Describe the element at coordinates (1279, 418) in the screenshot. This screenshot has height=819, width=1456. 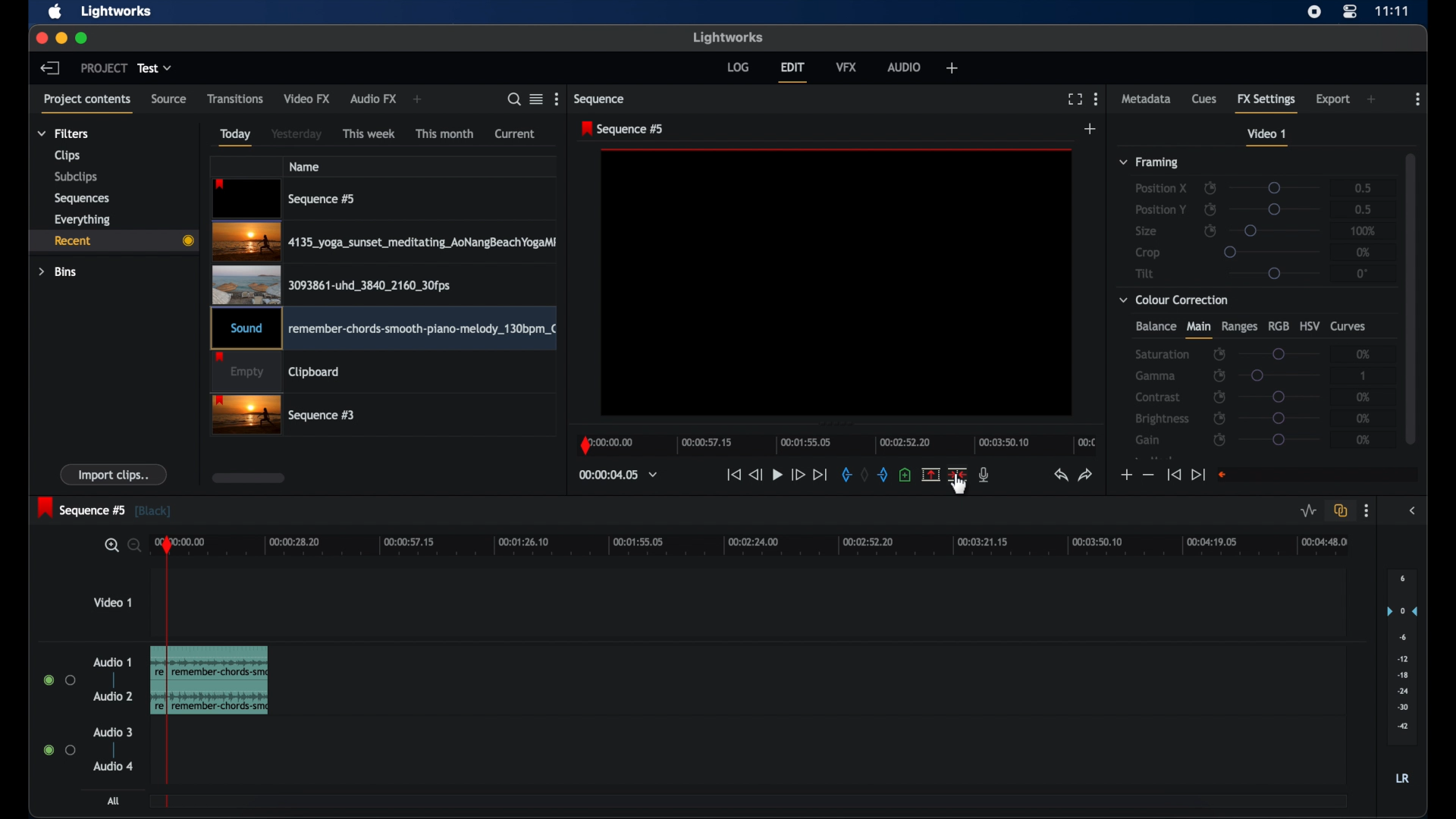
I see `slider` at that location.